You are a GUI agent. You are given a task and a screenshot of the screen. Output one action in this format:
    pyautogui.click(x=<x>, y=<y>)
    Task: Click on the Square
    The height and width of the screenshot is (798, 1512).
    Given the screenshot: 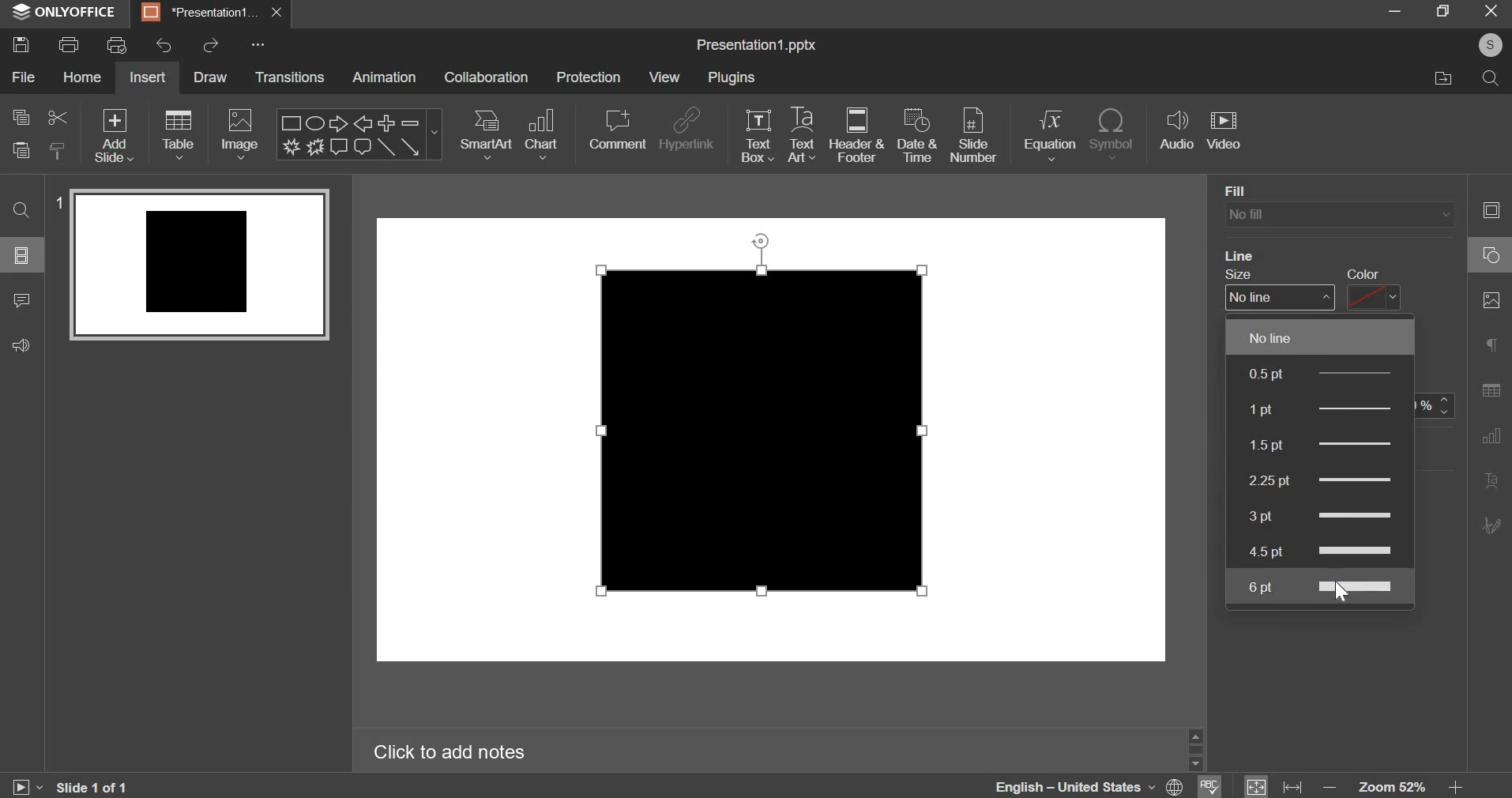 What is the action you would take?
    pyautogui.click(x=288, y=122)
    